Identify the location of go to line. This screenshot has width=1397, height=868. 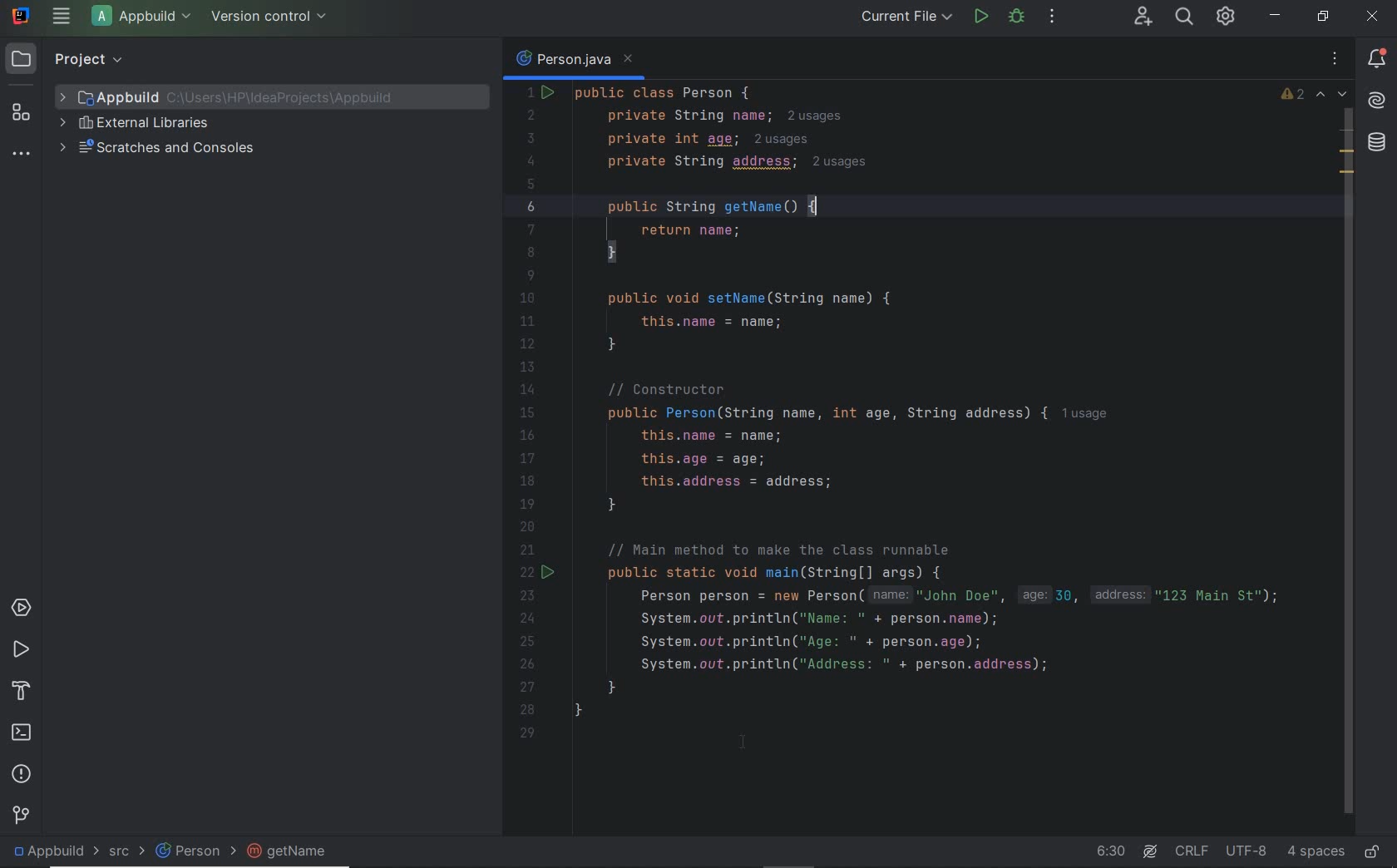
(1113, 852).